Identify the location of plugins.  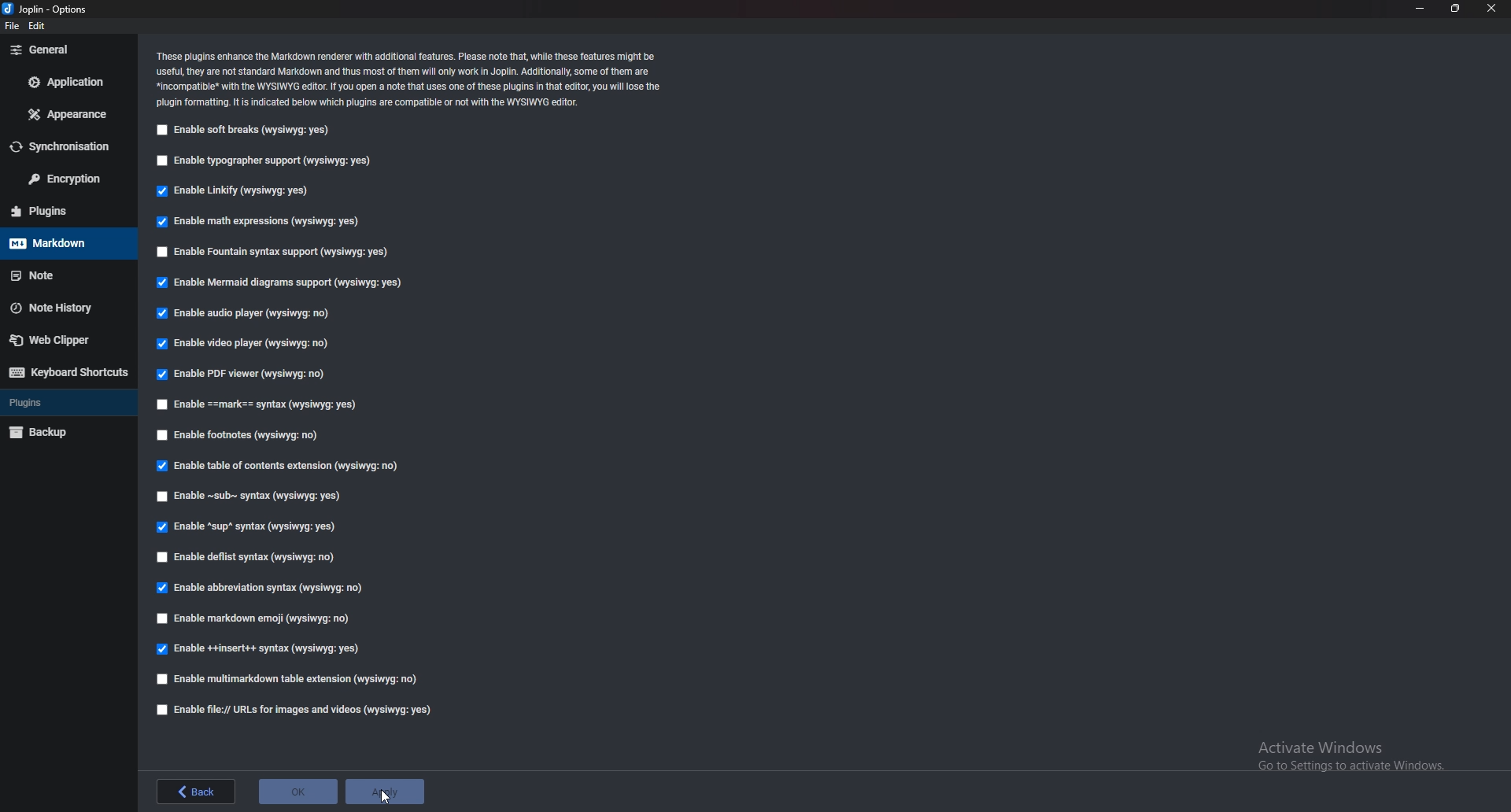
(68, 401).